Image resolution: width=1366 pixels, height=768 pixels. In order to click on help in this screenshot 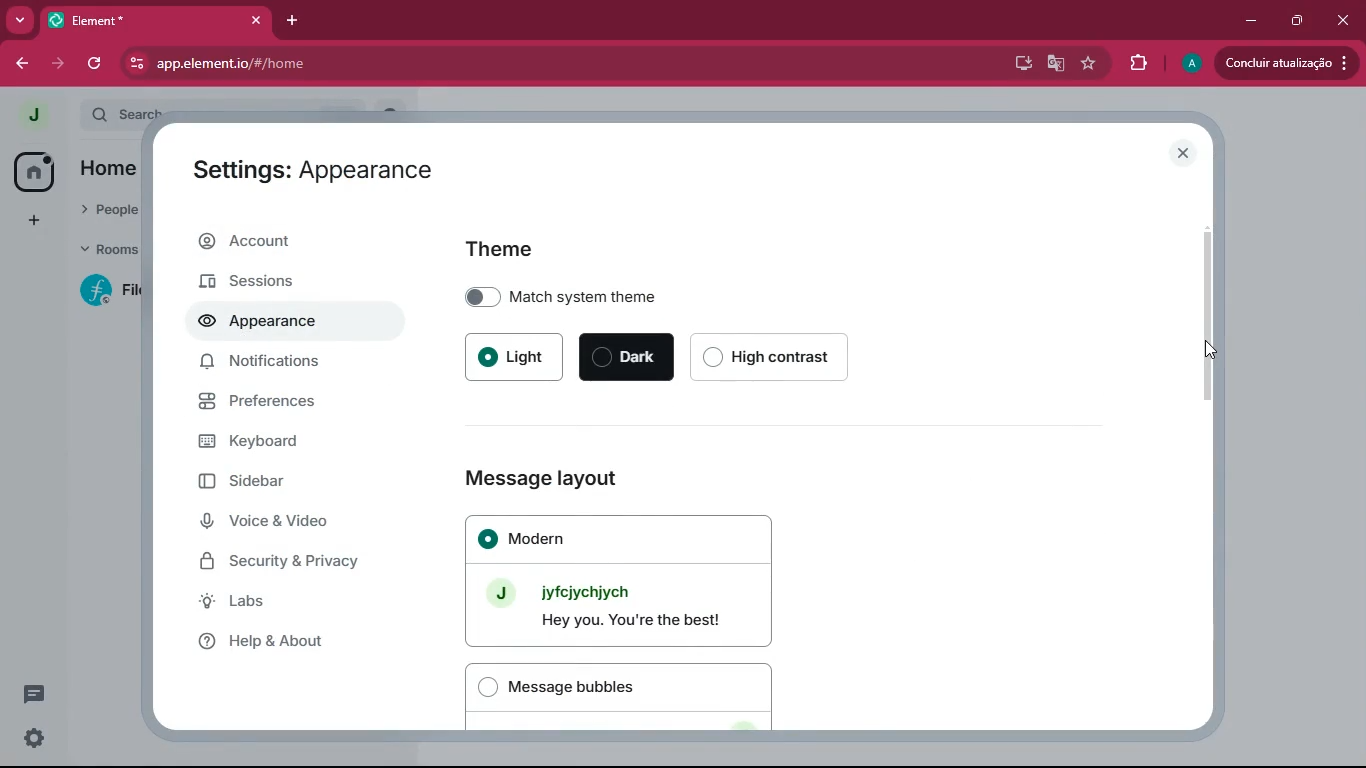, I will do `click(301, 640)`.